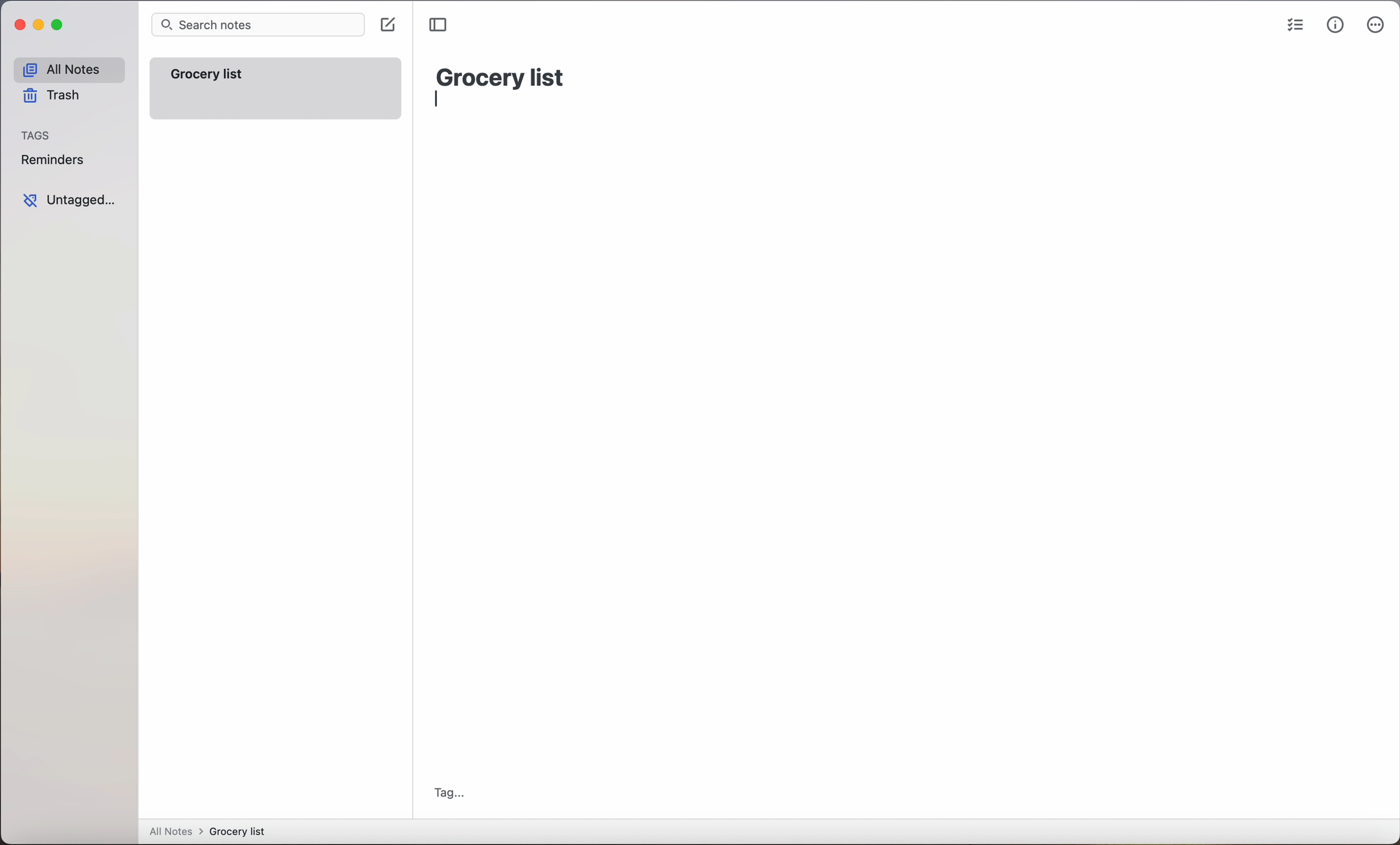  I want to click on grocery list note, so click(276, 87).